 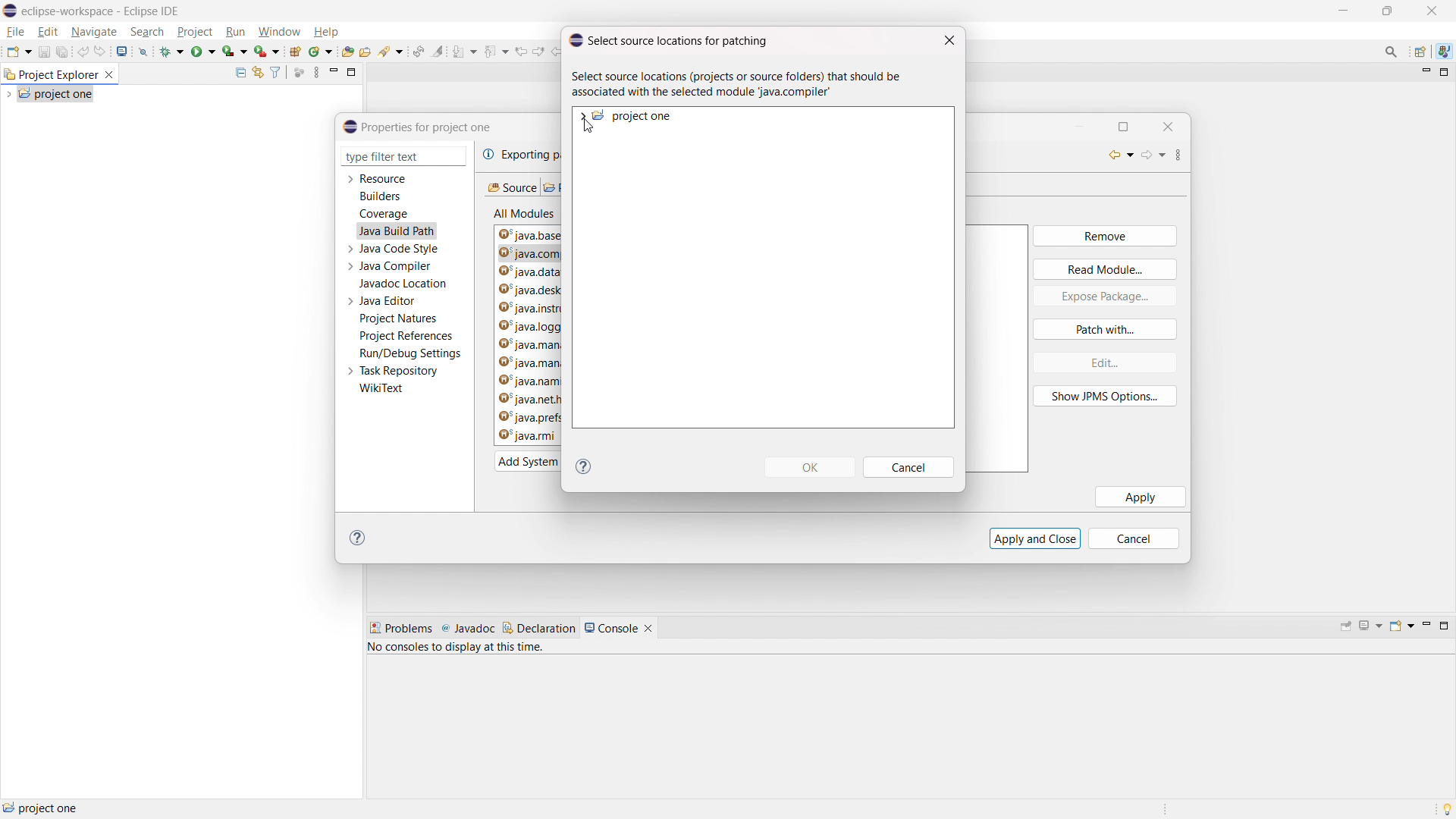 What do you see at coordinates (396, 231) in the screenshot?
I see `java build path selected` at bounding box center [396, 231].